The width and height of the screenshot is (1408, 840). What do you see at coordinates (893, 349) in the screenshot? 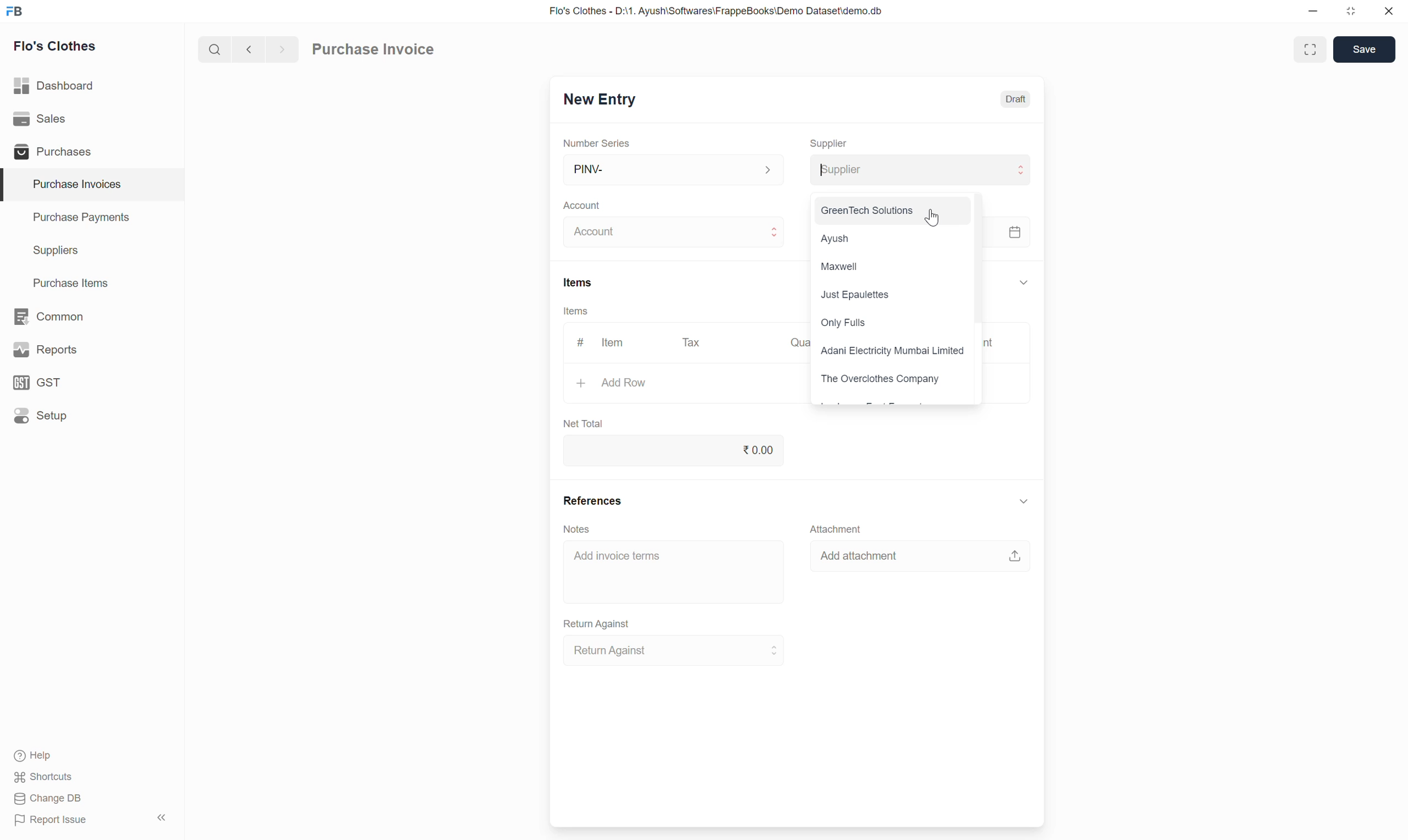
I see `Adani Electricity Mumbai Limited` at bounding box center [893, 349].